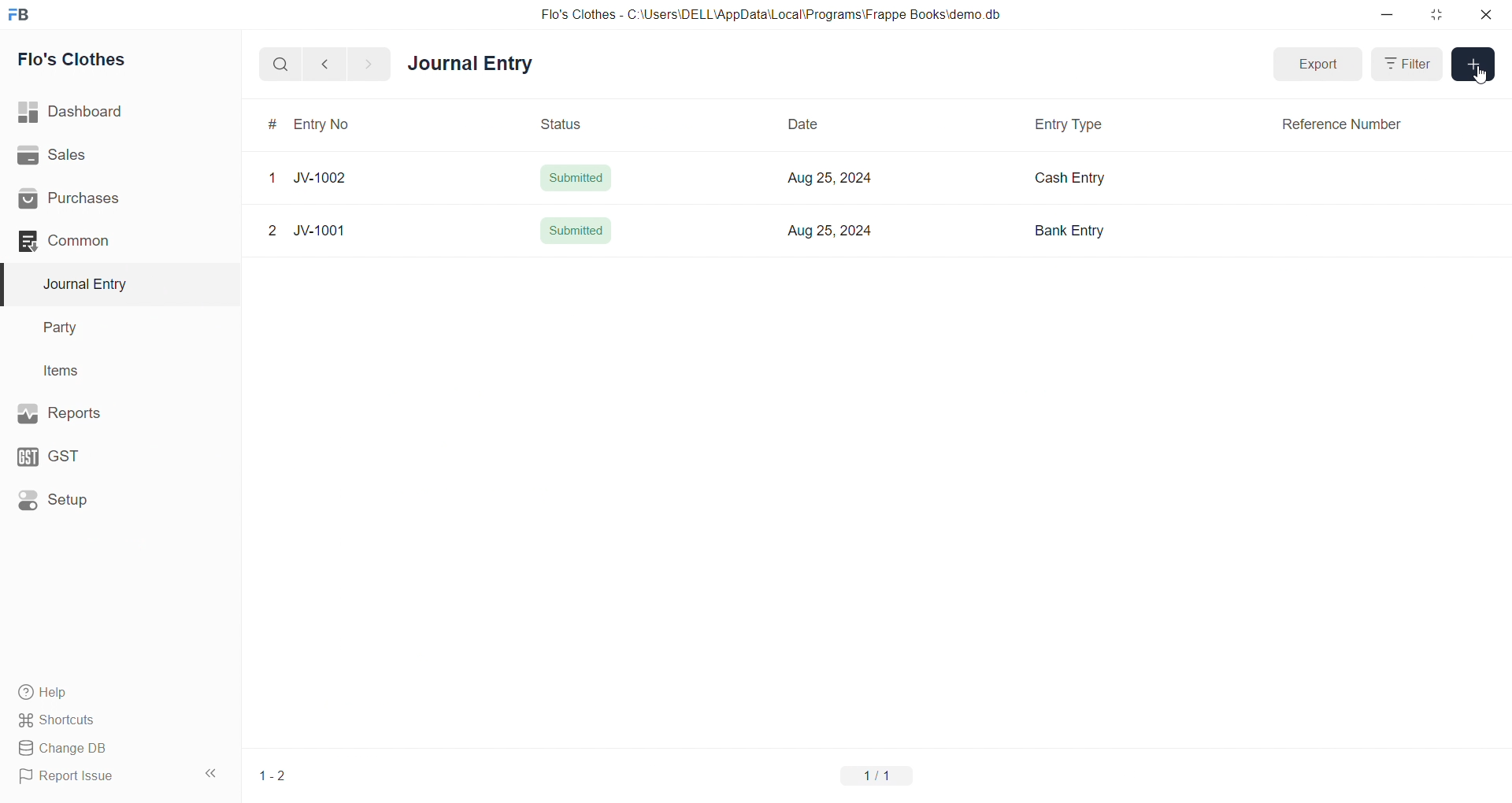 Image resolution: width=1512 pixels, height=803 pixels. I want to click on Journal Entry, so click(476, 65).